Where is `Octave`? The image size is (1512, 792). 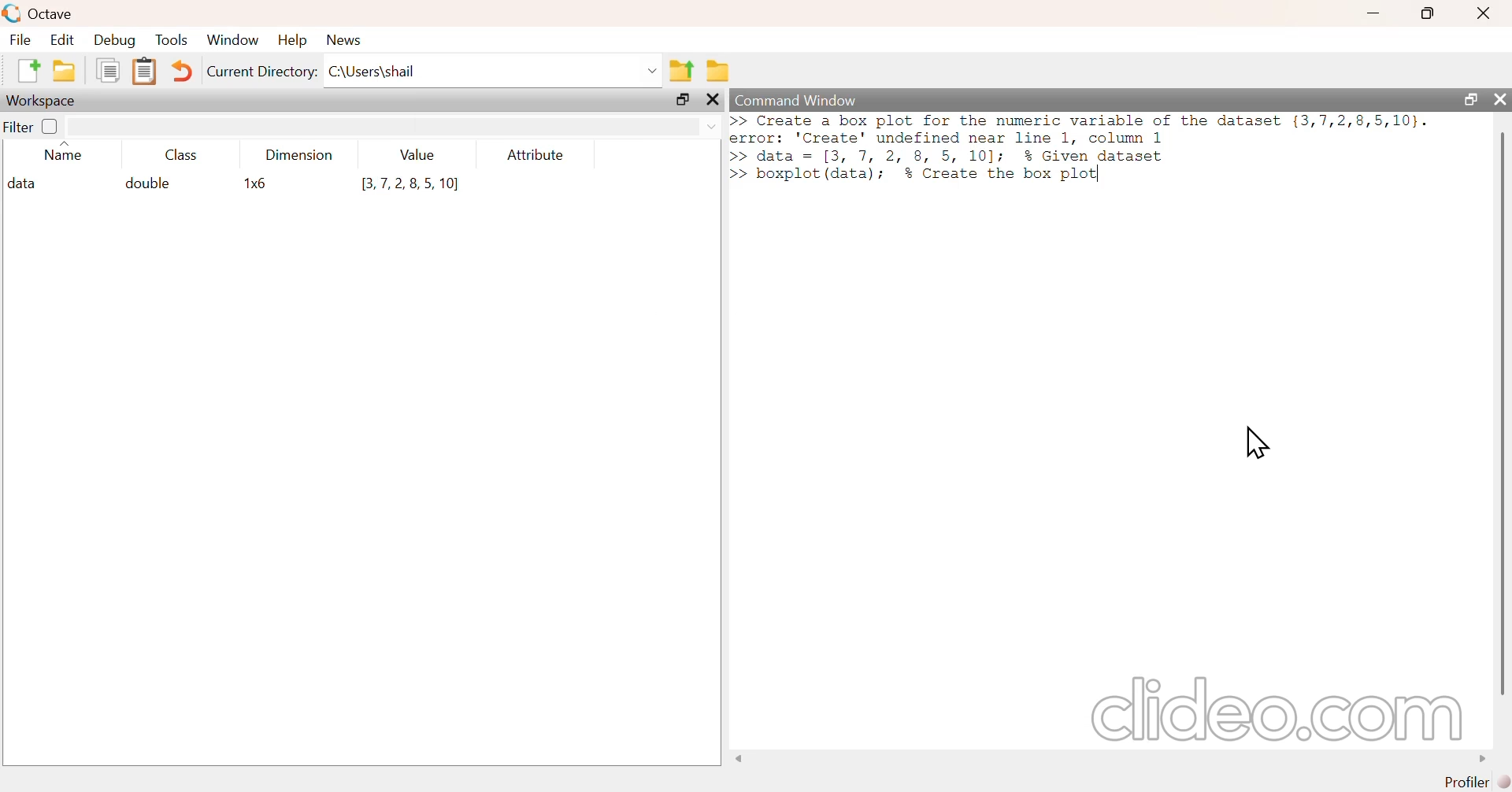 Octave is located at coordinates (54, 12).